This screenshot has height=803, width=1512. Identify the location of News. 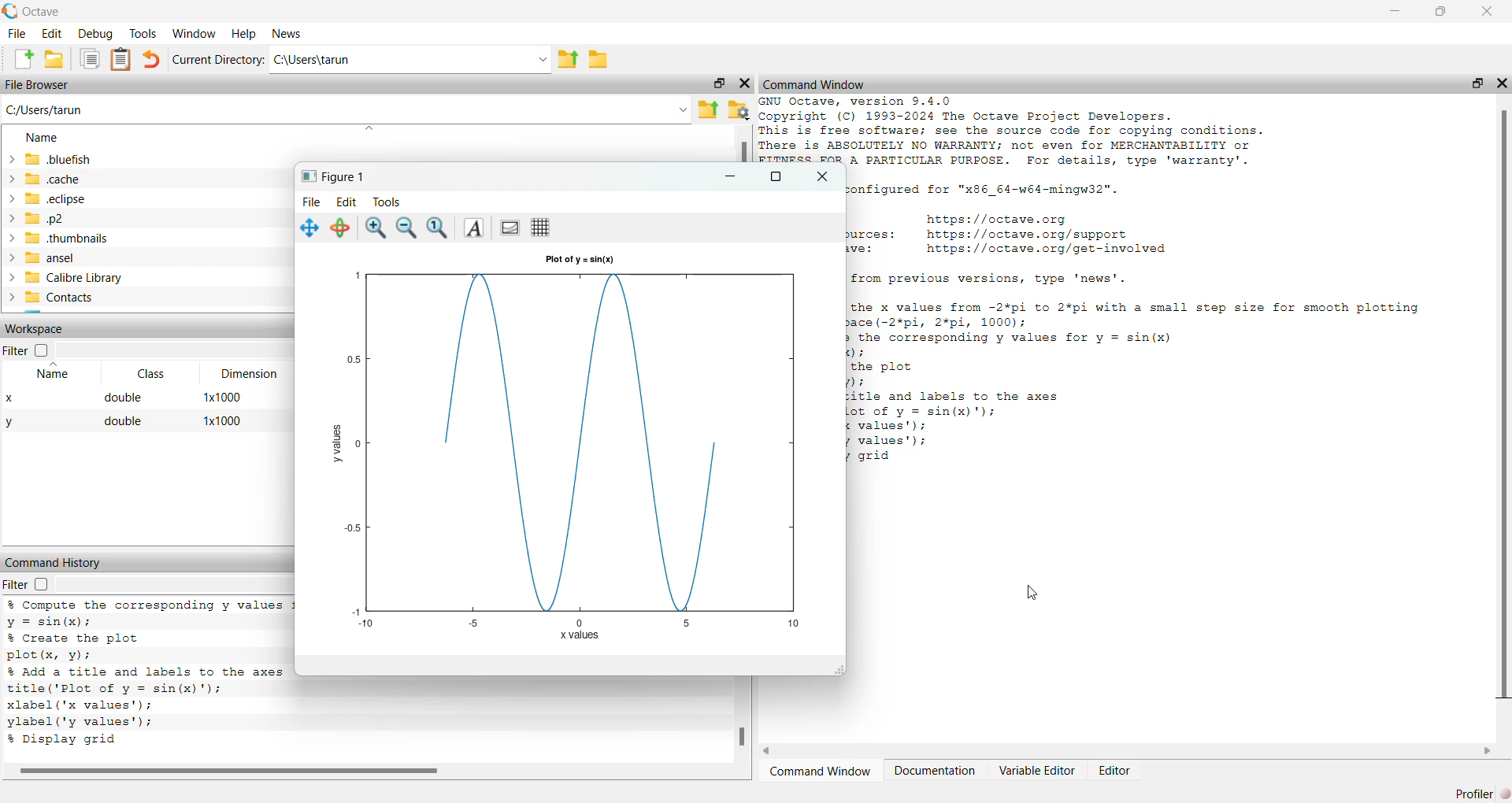
(286, 35).